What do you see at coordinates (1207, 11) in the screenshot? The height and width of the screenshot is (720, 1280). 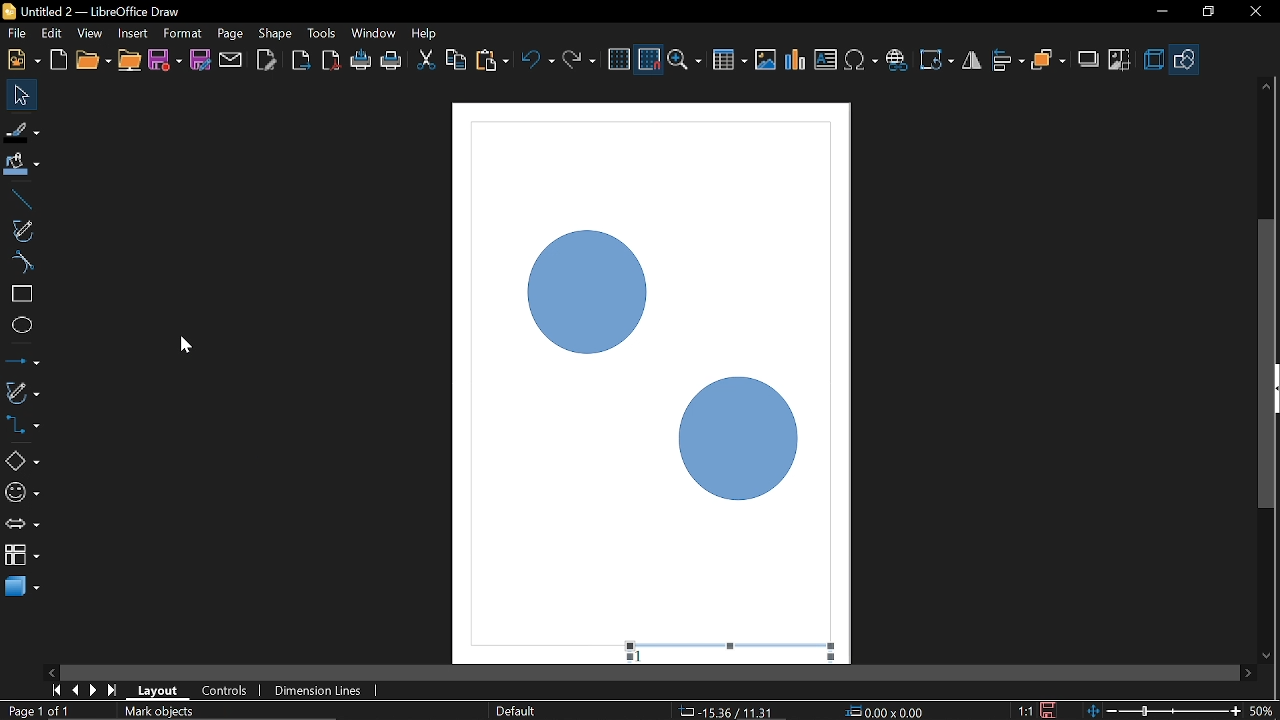 I see `Restore down` at bounding box center [1207, 11].